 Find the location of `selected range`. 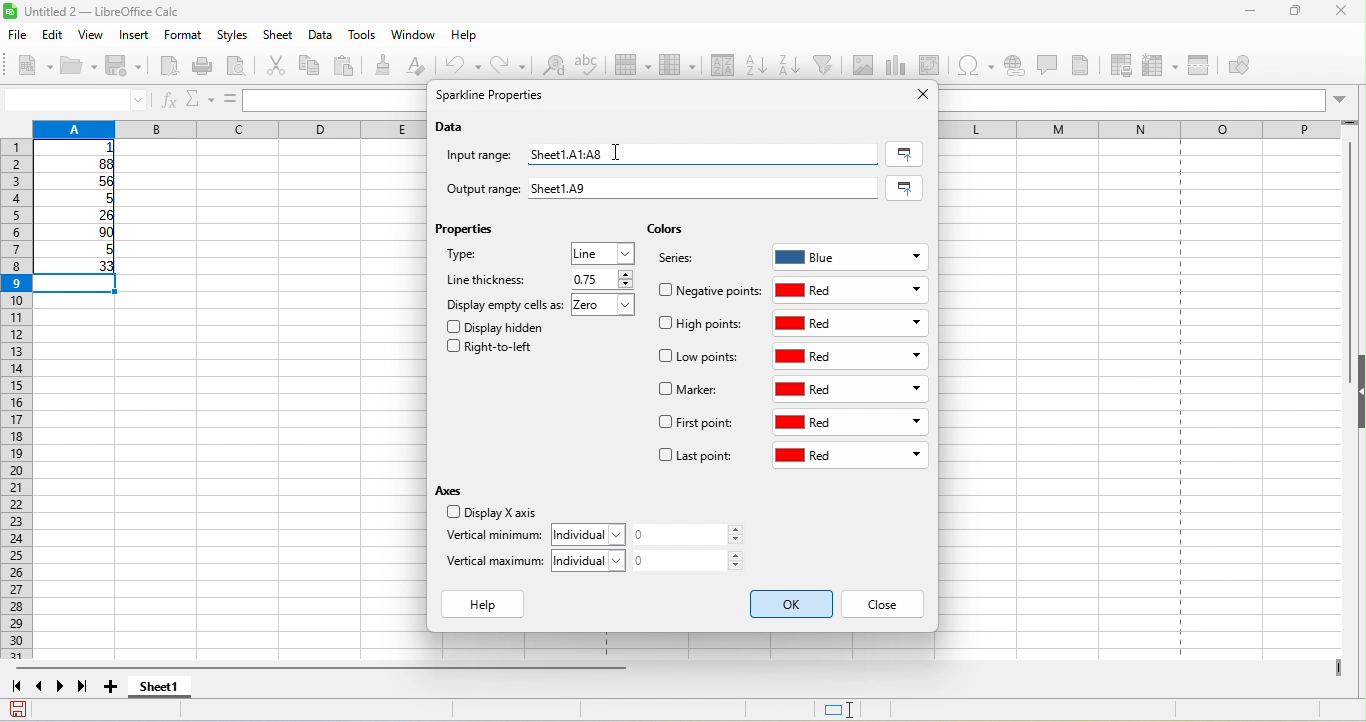

selected range is located at coordinates (904, 154).